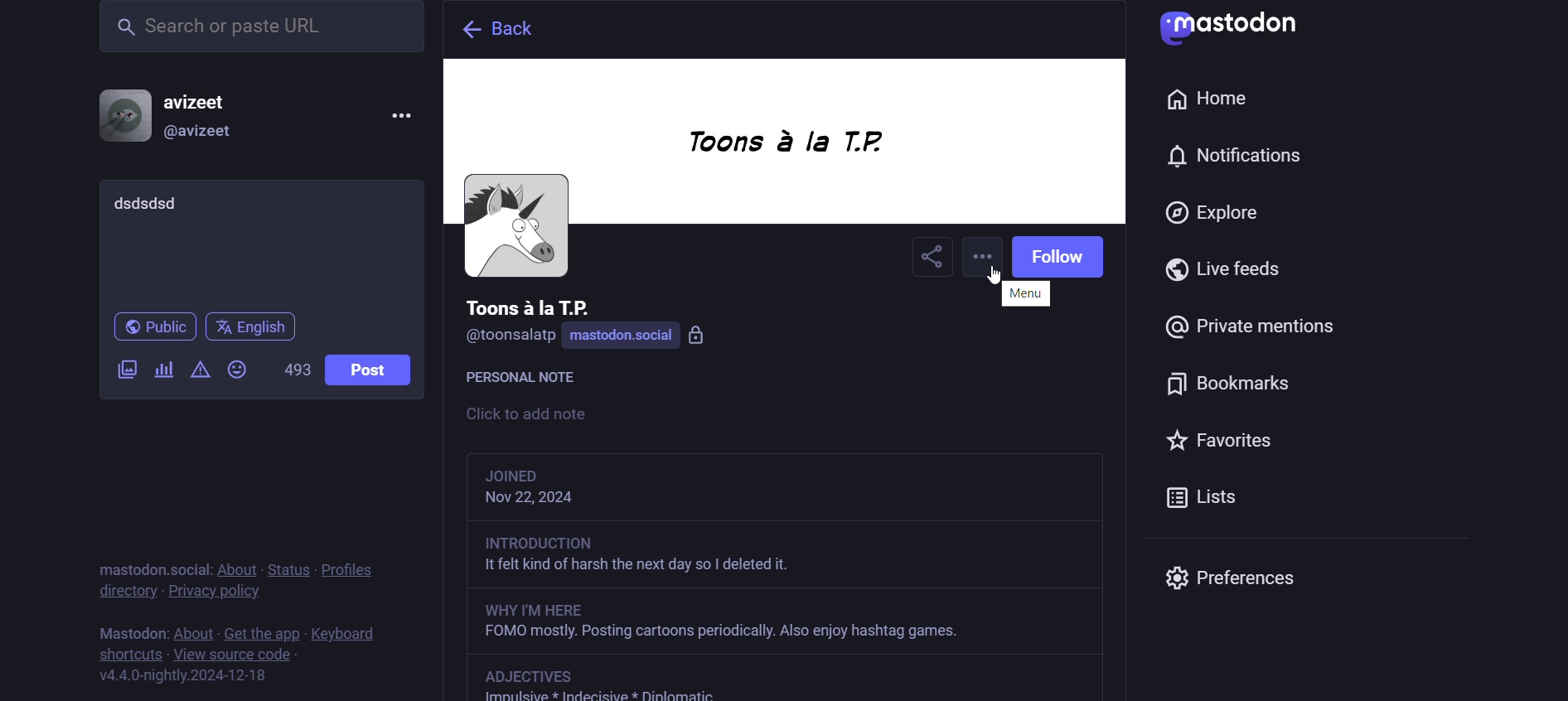 The height and width of the screenshot is (701, 1568). I want to click on search, so click(261, 34).